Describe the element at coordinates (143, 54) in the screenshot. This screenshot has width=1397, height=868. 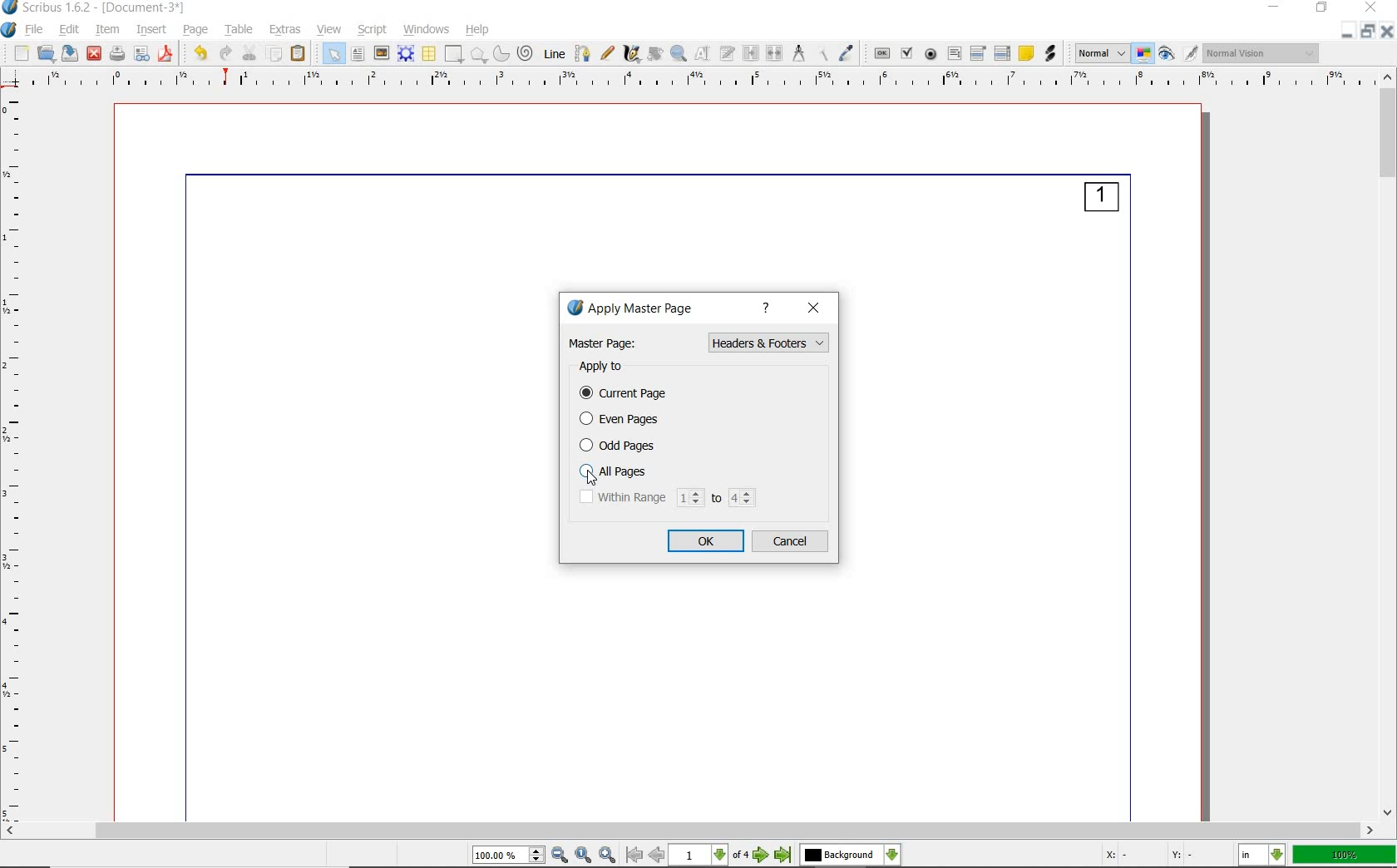
I see `preflight verifier` at that location.